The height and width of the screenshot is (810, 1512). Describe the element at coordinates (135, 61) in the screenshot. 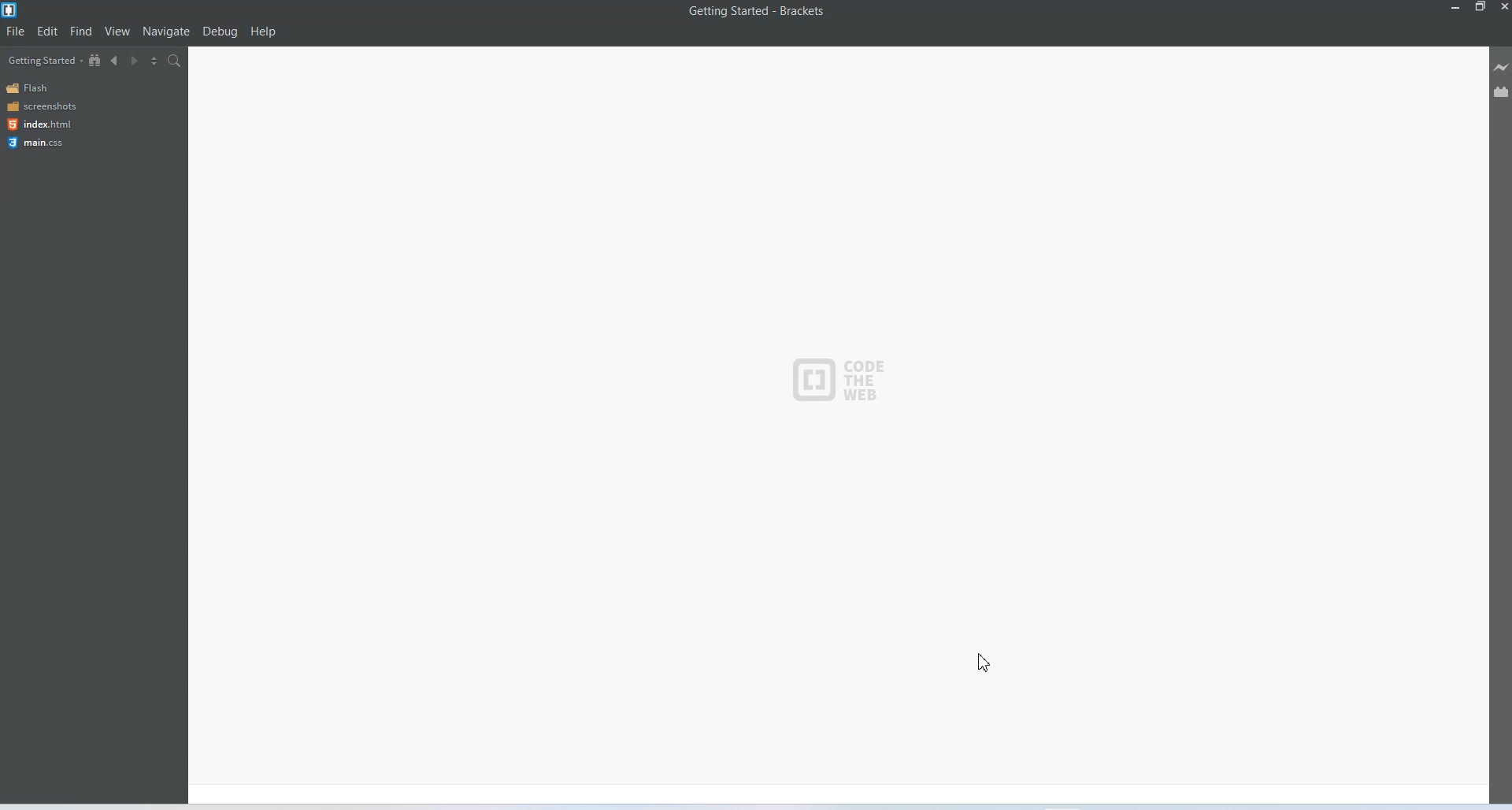

I see `Navigate Forwards` at that location.